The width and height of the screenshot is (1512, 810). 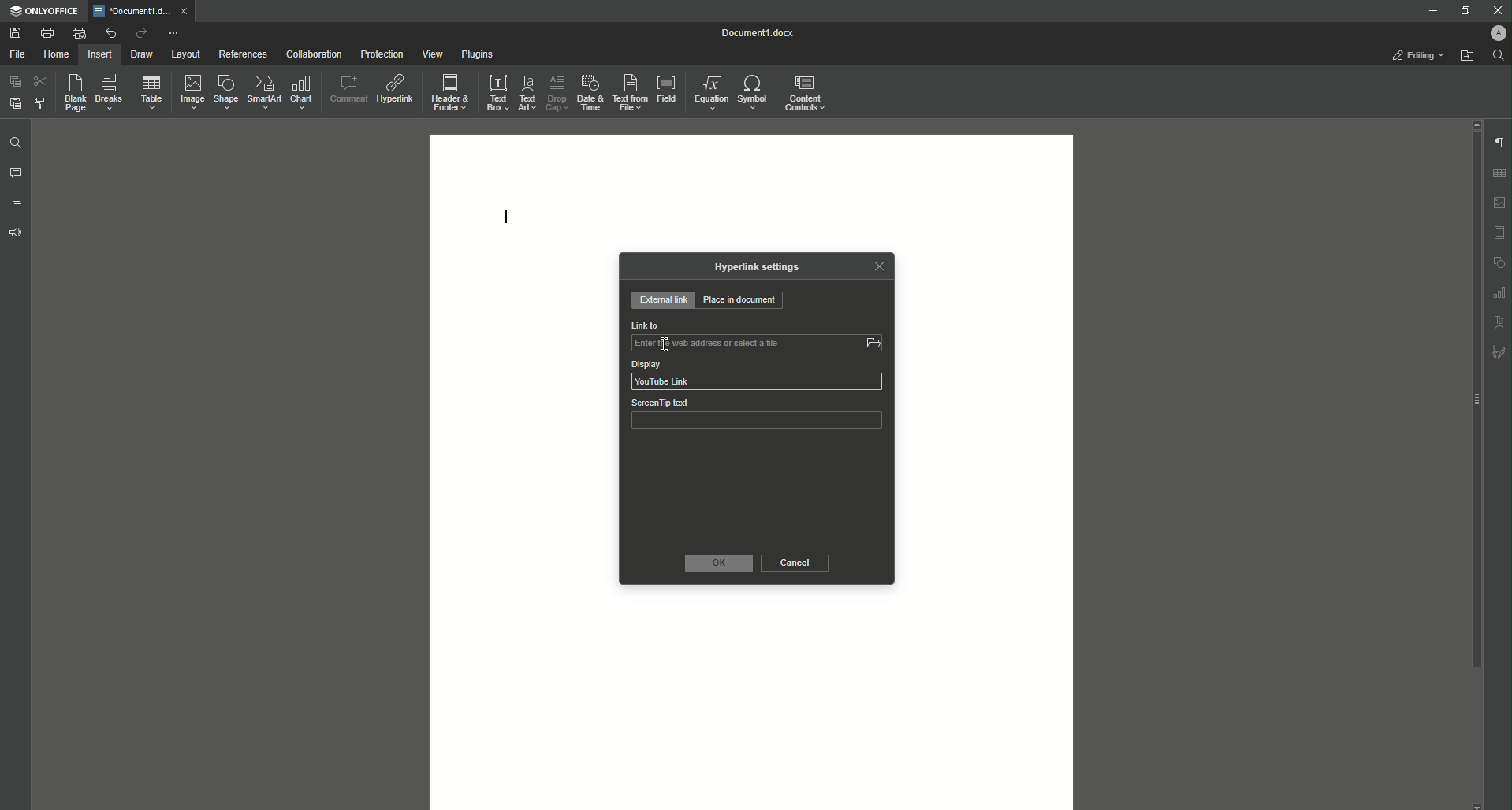 I want to click on Paste, so click(x=16, y=104).